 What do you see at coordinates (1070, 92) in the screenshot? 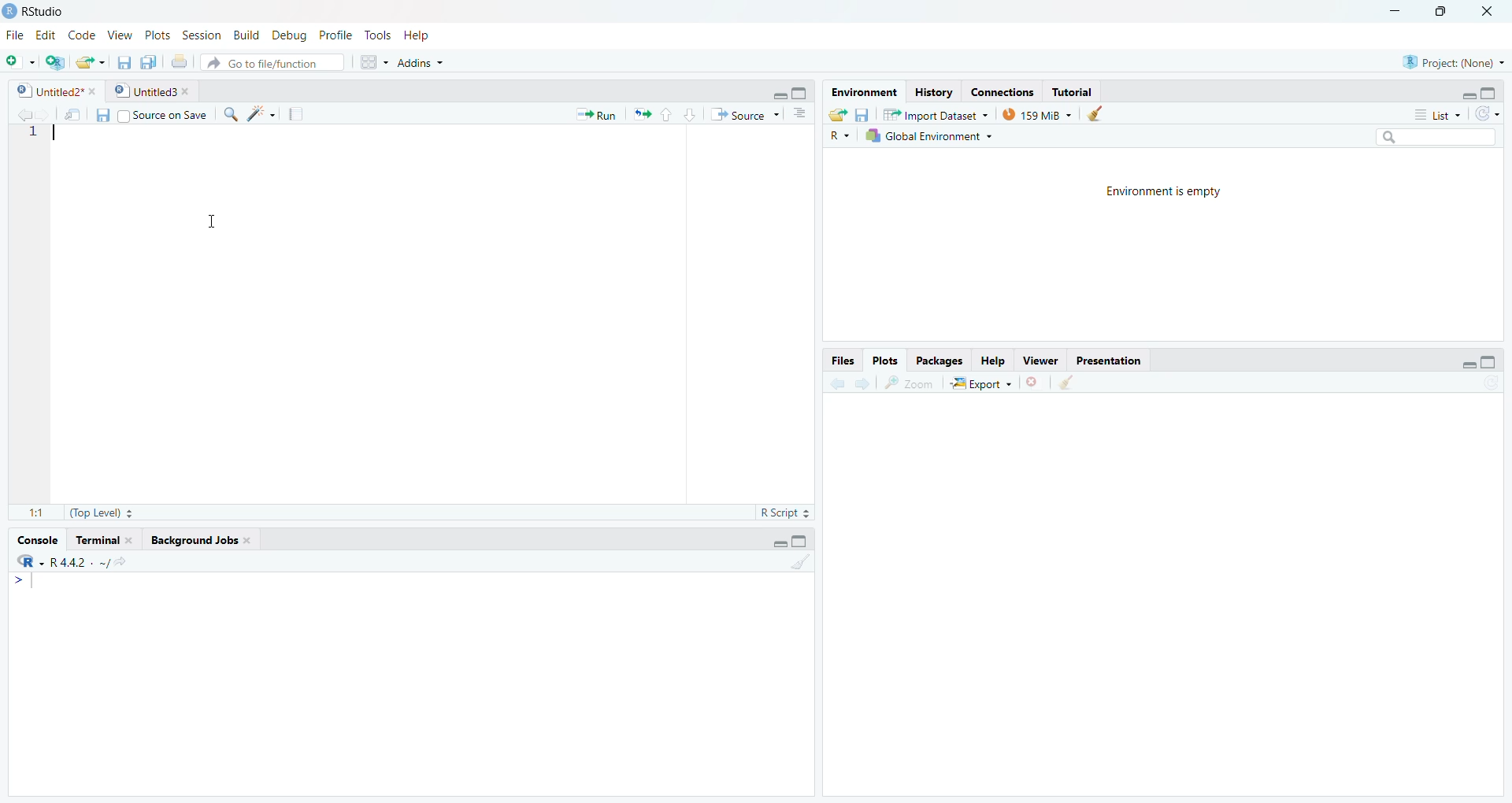
I see `Tutorial` at bounding box center [1070, 92].